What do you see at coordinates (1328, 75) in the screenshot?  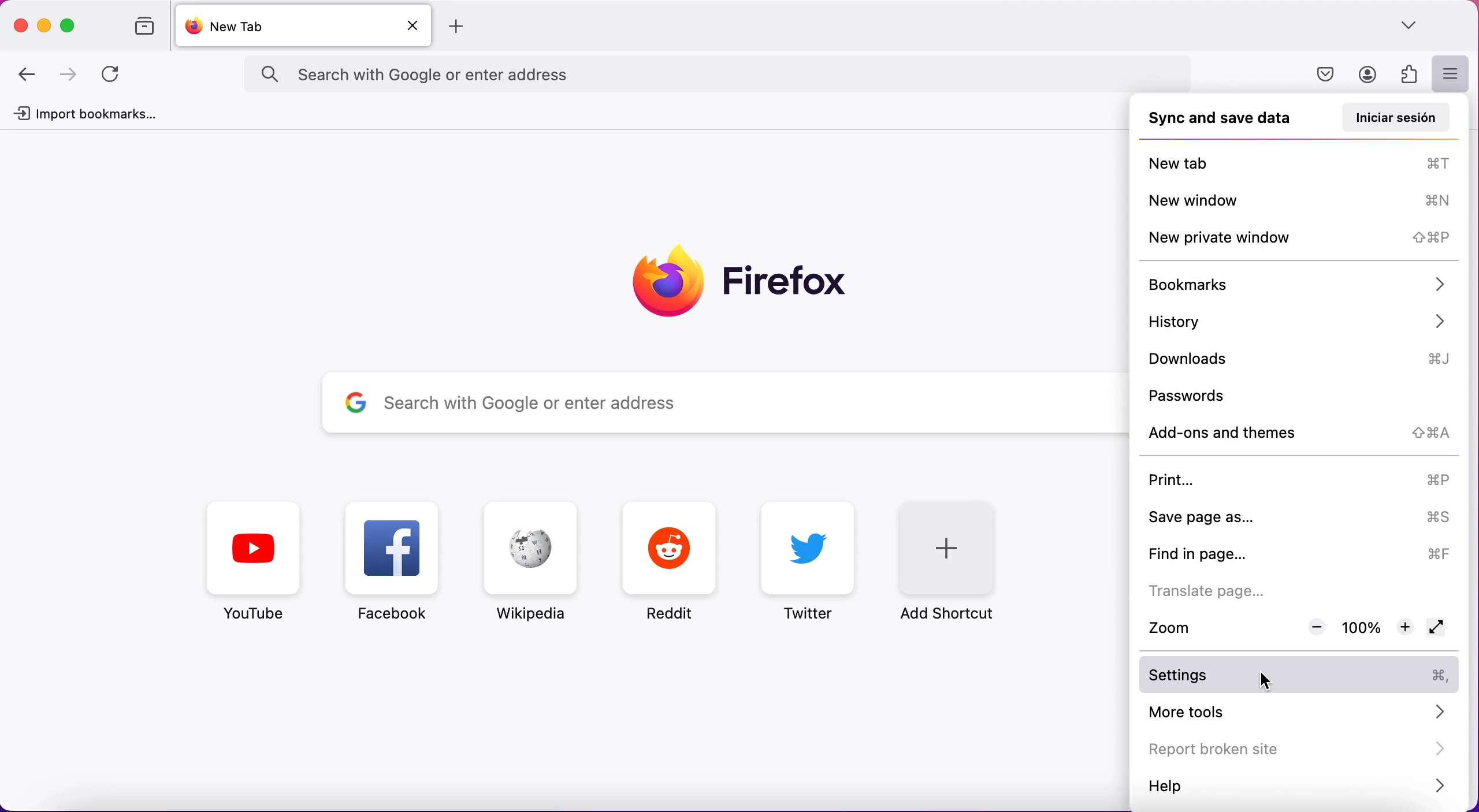 I see `save to pocket` at bounding box center [1328, 75].